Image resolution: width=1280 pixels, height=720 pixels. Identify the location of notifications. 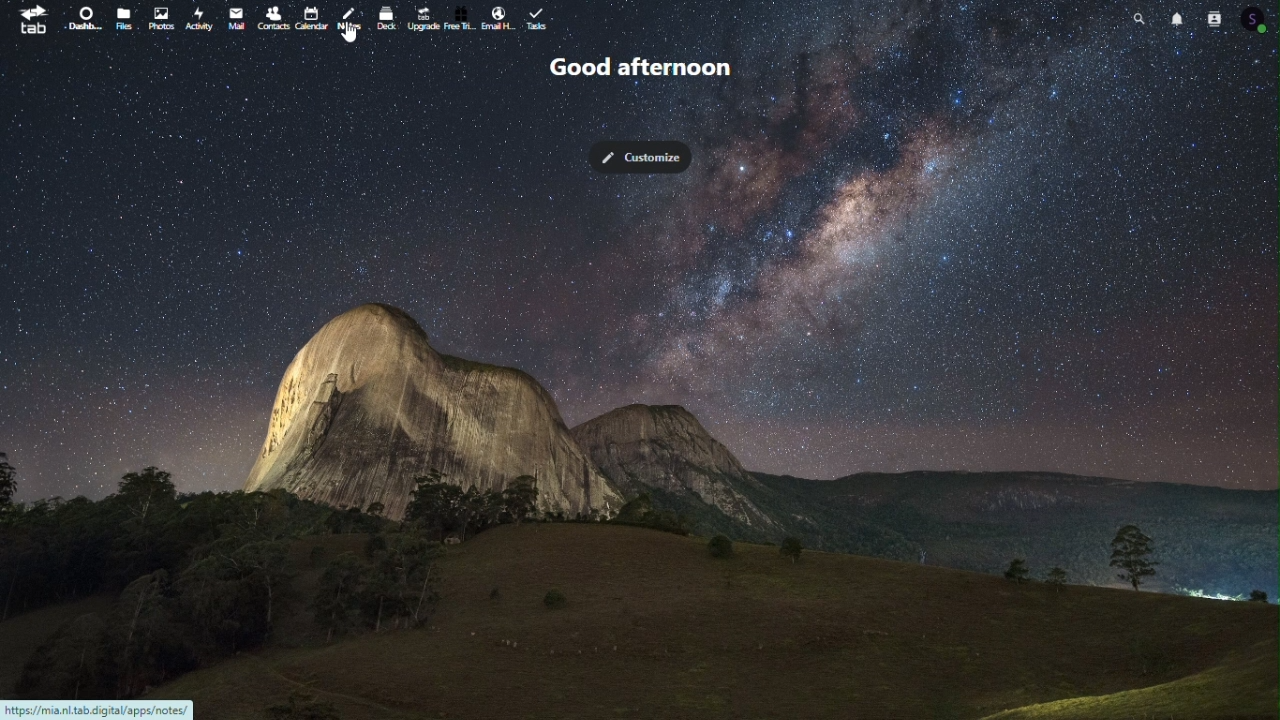
(1175, 16).